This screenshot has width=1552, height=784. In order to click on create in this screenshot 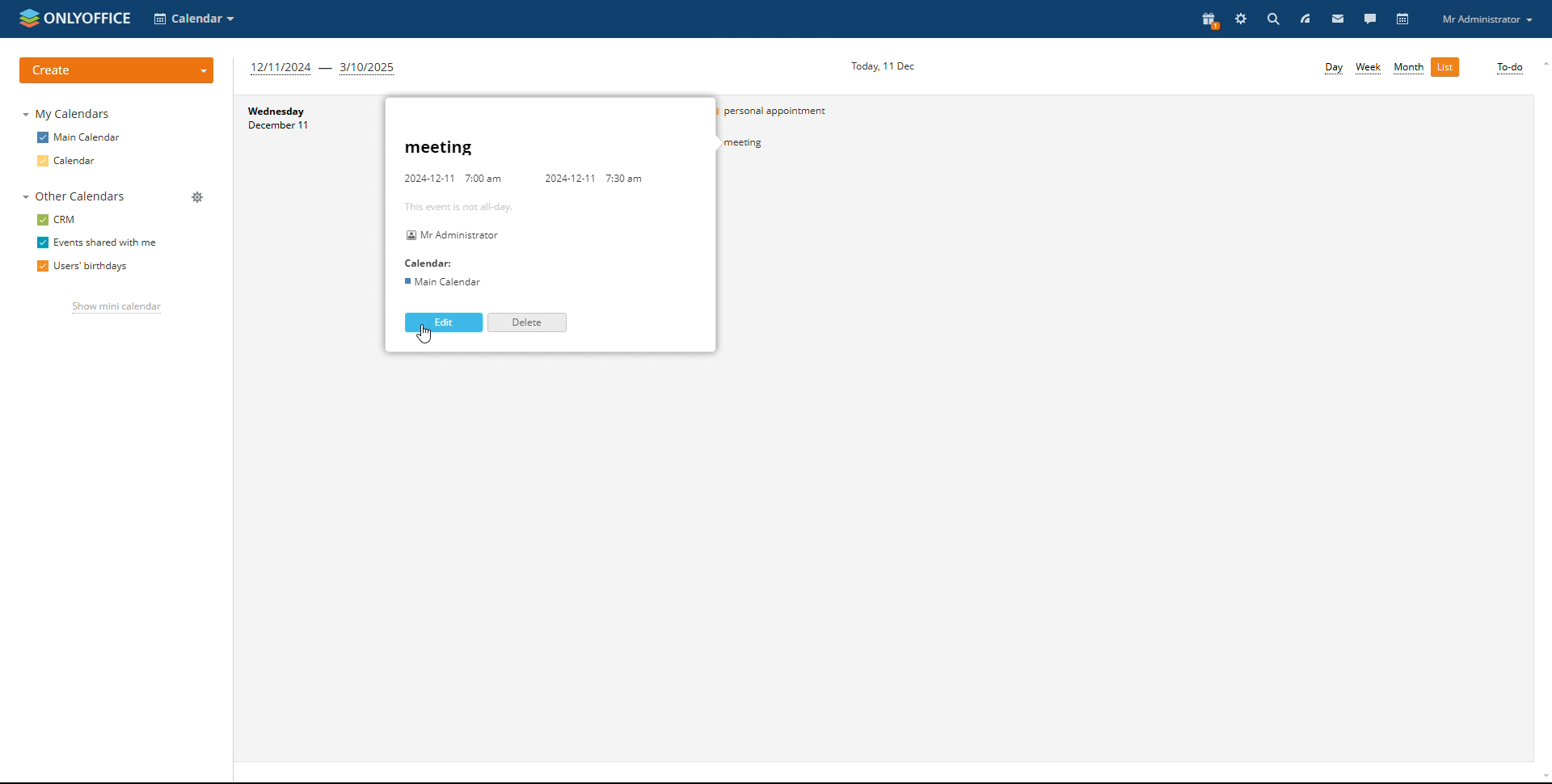, I will do `click(116, 70)`.